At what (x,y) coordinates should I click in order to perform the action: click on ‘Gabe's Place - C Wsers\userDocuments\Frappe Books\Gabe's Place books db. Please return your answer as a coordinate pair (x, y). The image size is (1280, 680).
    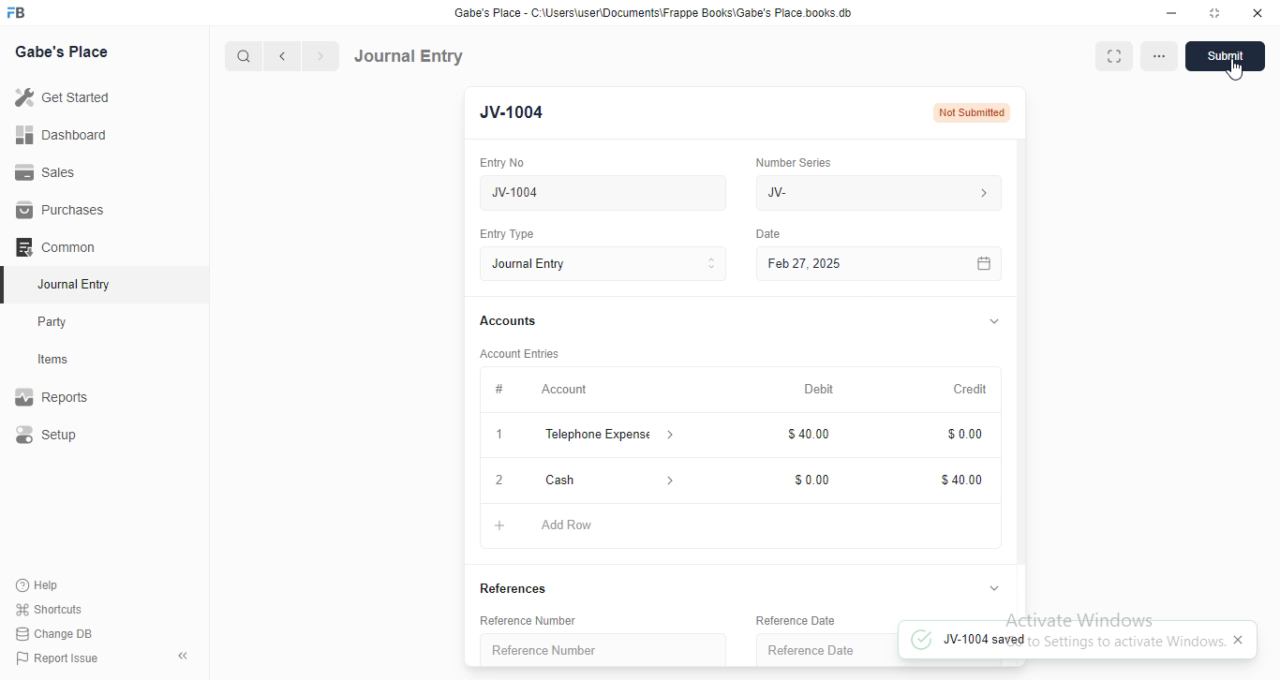
    Looking at the image, I should click on (659, 11).